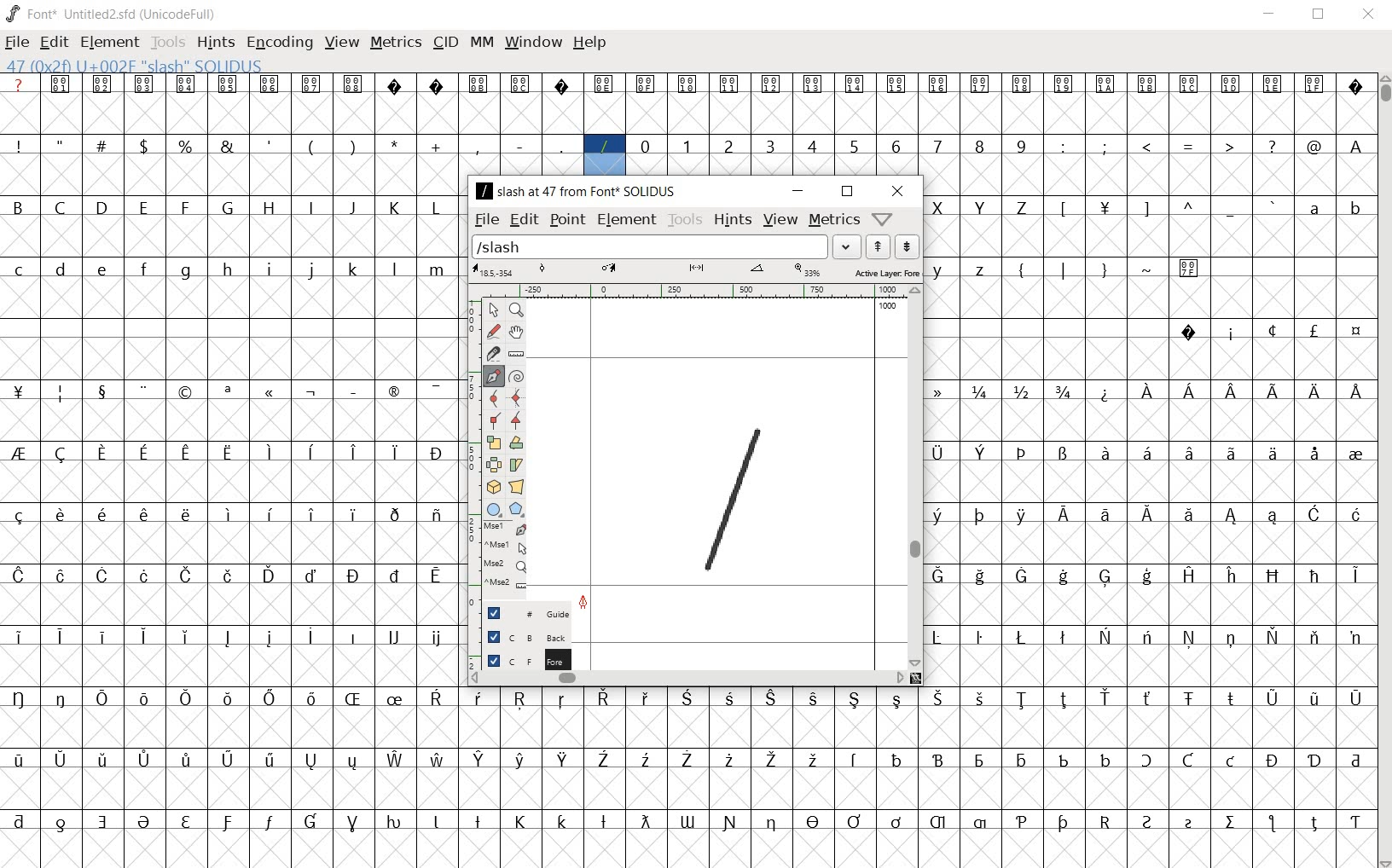  What do you see at coordinates (515, 488) in the screenshot?
I see `perform a perspective transformation on the selection` at bounding box center [515, 488].